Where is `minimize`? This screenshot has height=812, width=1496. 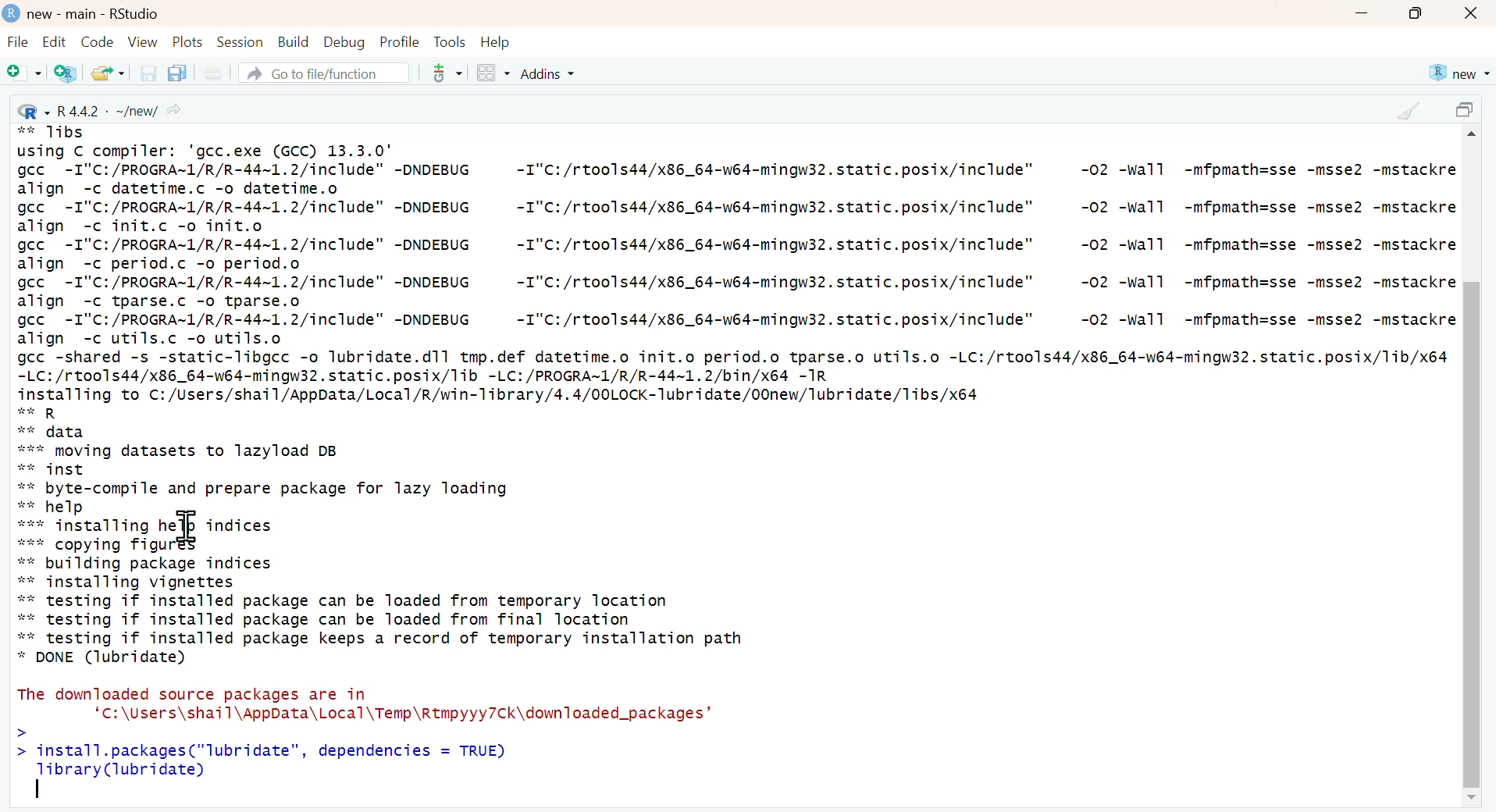
minimize is located at coordinates (1361, 15).